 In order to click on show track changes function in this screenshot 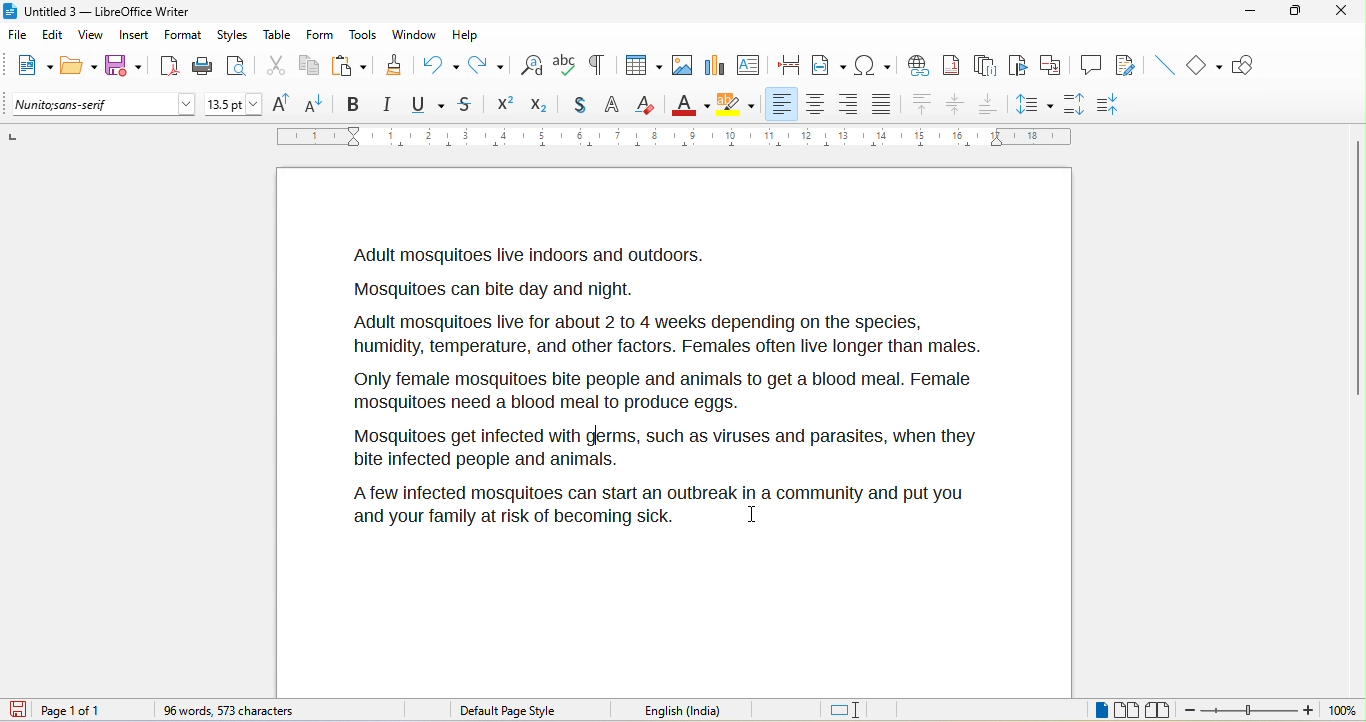, I will do `click(1127, 64)`.